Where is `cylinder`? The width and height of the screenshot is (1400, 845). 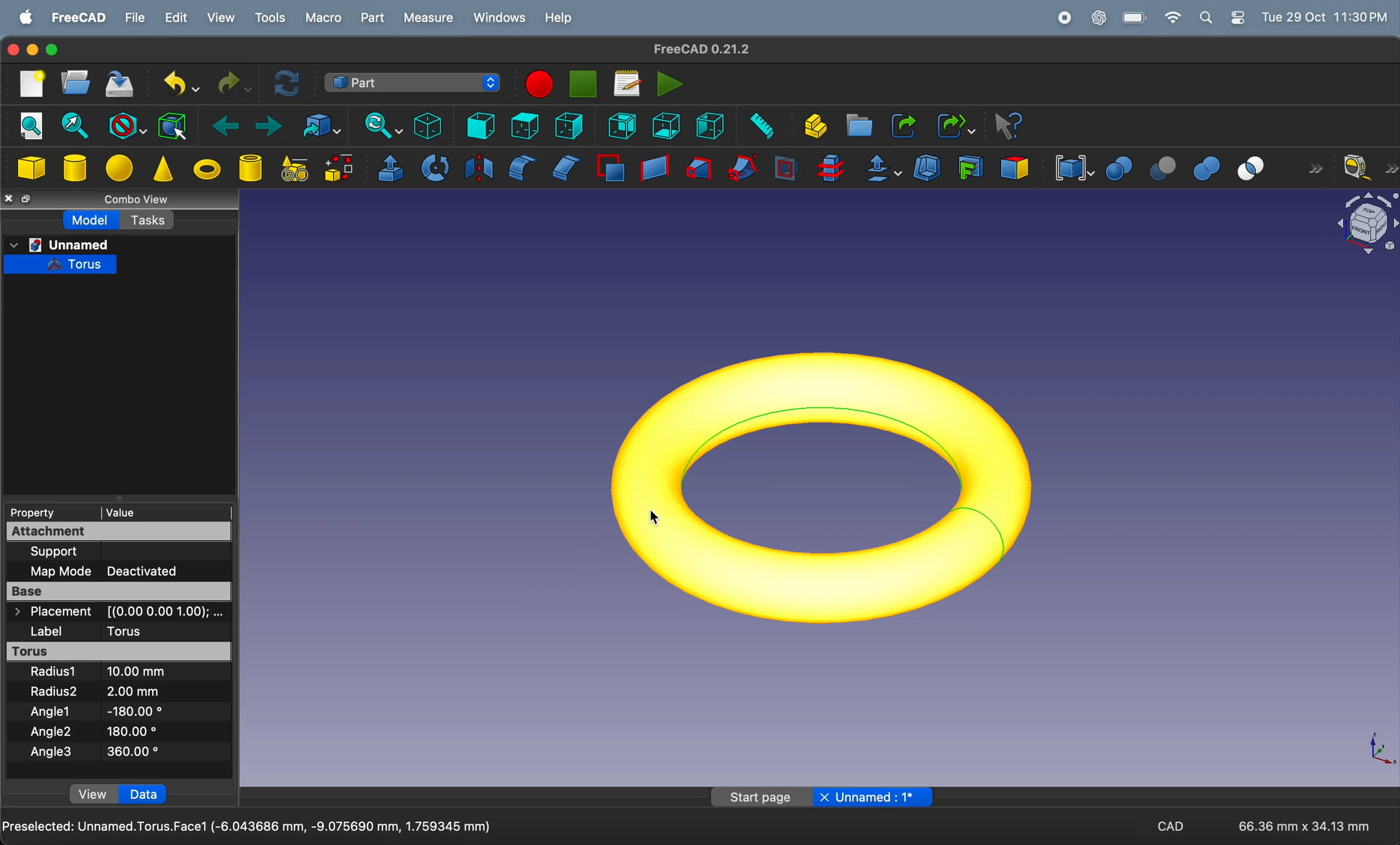
cylinder is located at coordinates (252, 169).